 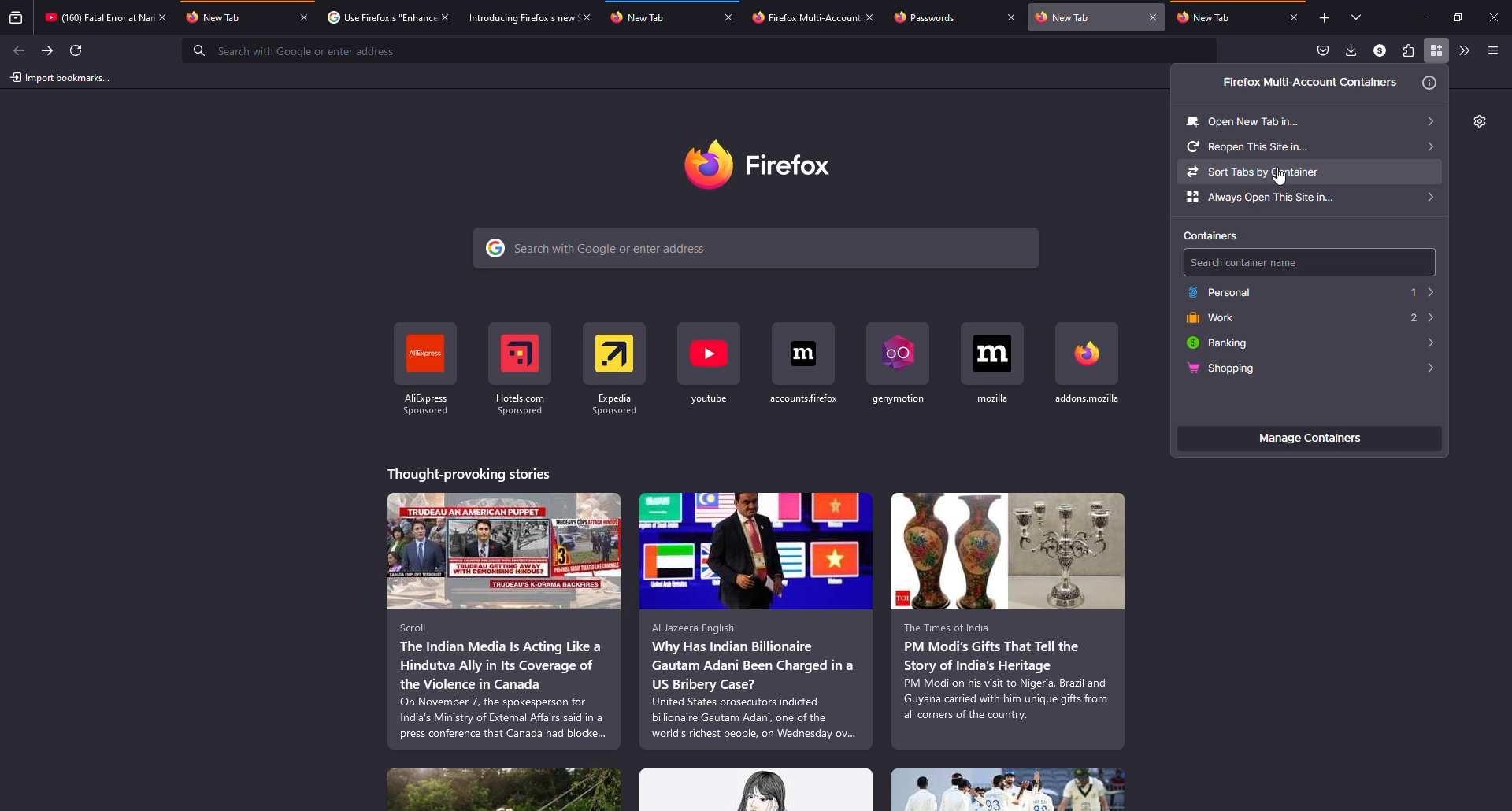 What do you see at coordinates (1217, 235) in the screenshot?
I see `containers` at bounding box center [1217, 235].